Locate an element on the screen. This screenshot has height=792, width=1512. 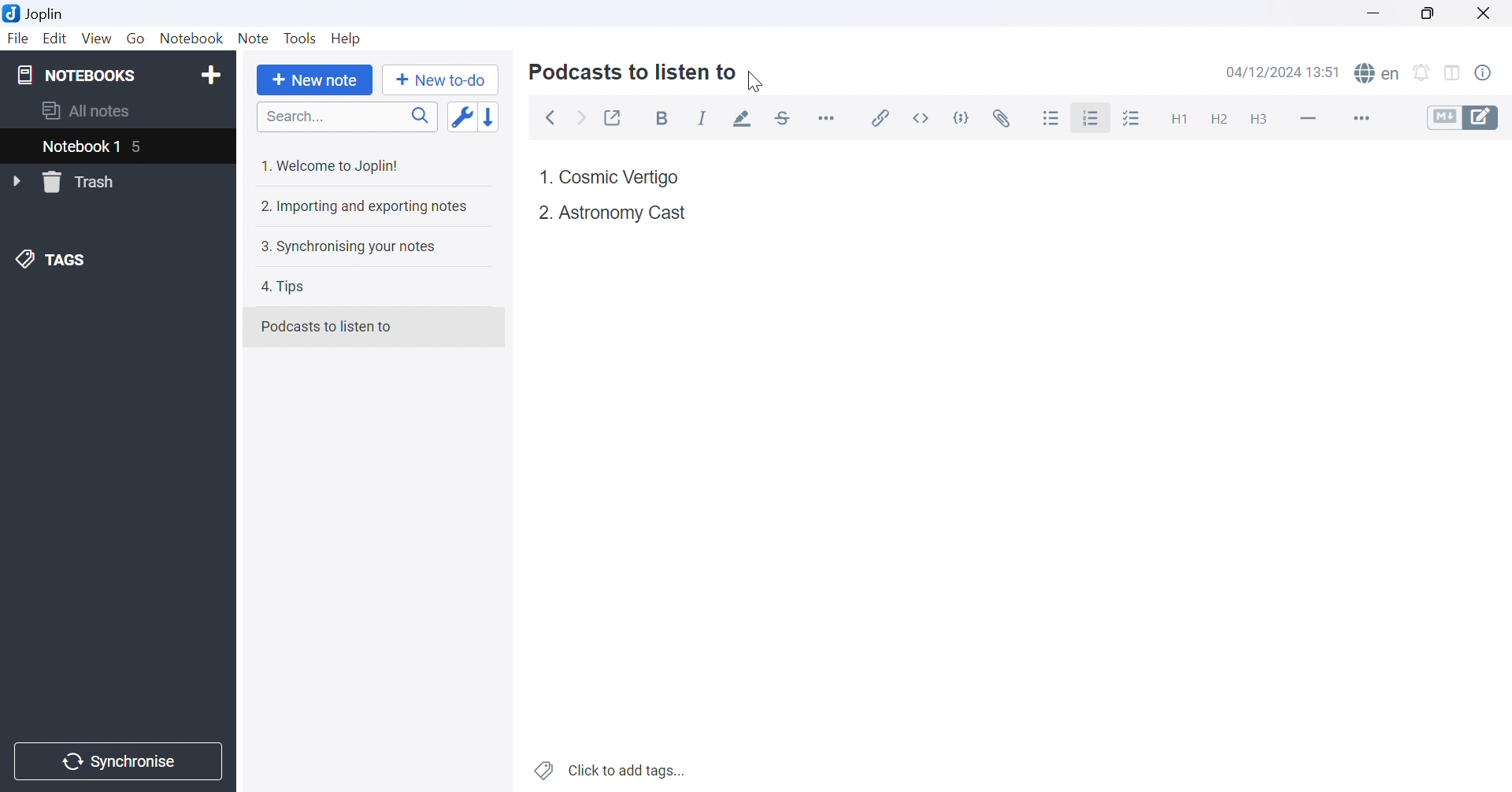
Podcasts to listen to is located at coordinates (636, 74).